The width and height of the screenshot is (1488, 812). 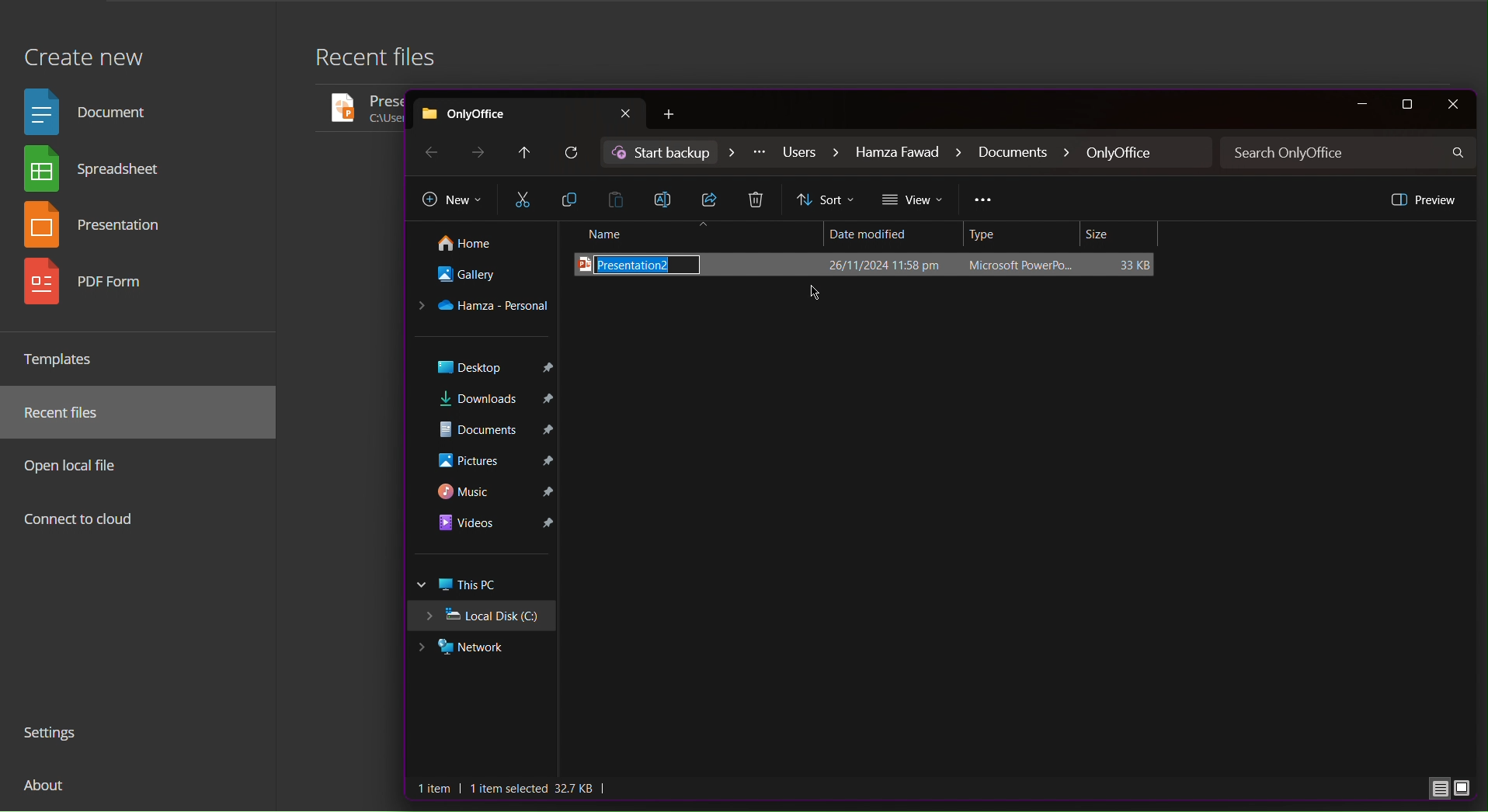 I want to click on date modified, so click(x=886, y=231).